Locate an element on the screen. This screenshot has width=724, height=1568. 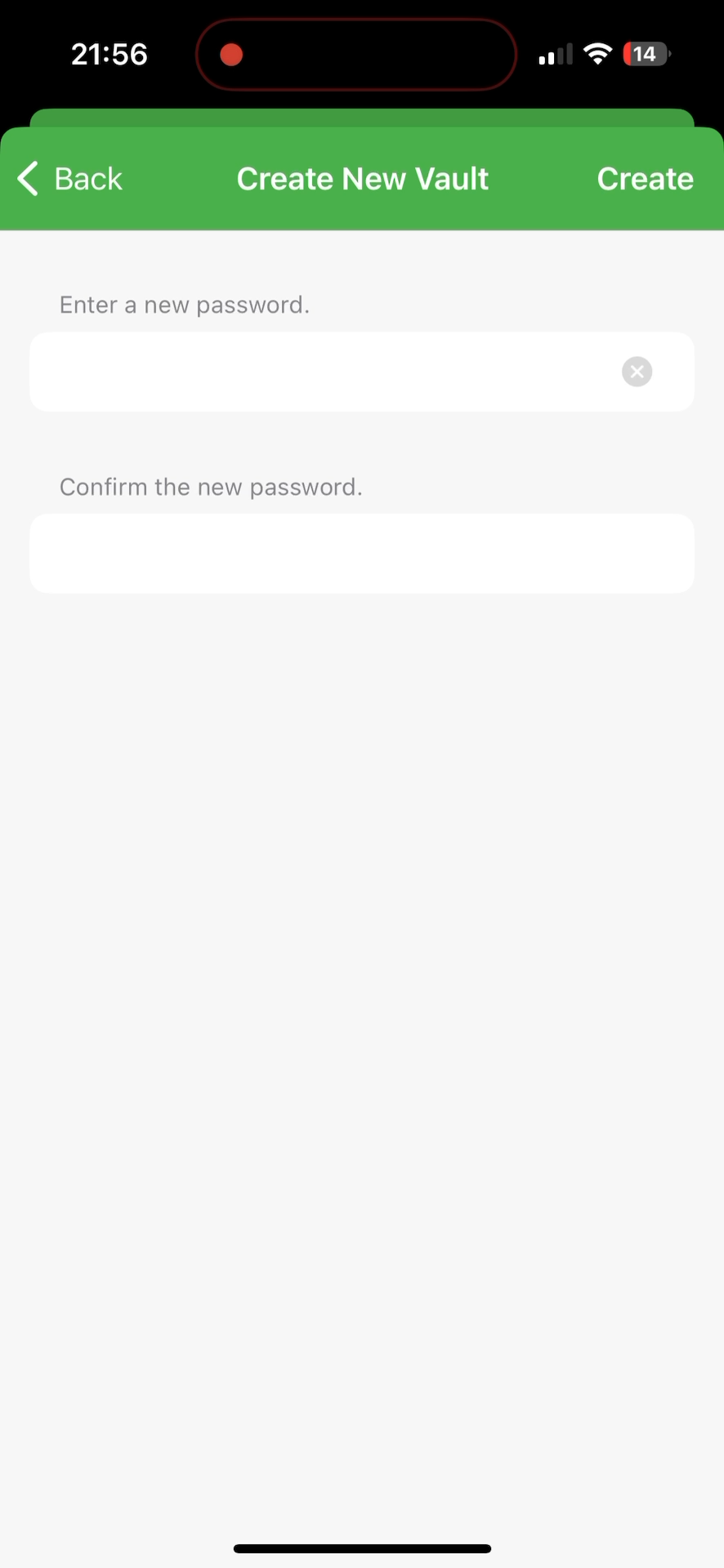
battery is located at coordinates (646, 56).